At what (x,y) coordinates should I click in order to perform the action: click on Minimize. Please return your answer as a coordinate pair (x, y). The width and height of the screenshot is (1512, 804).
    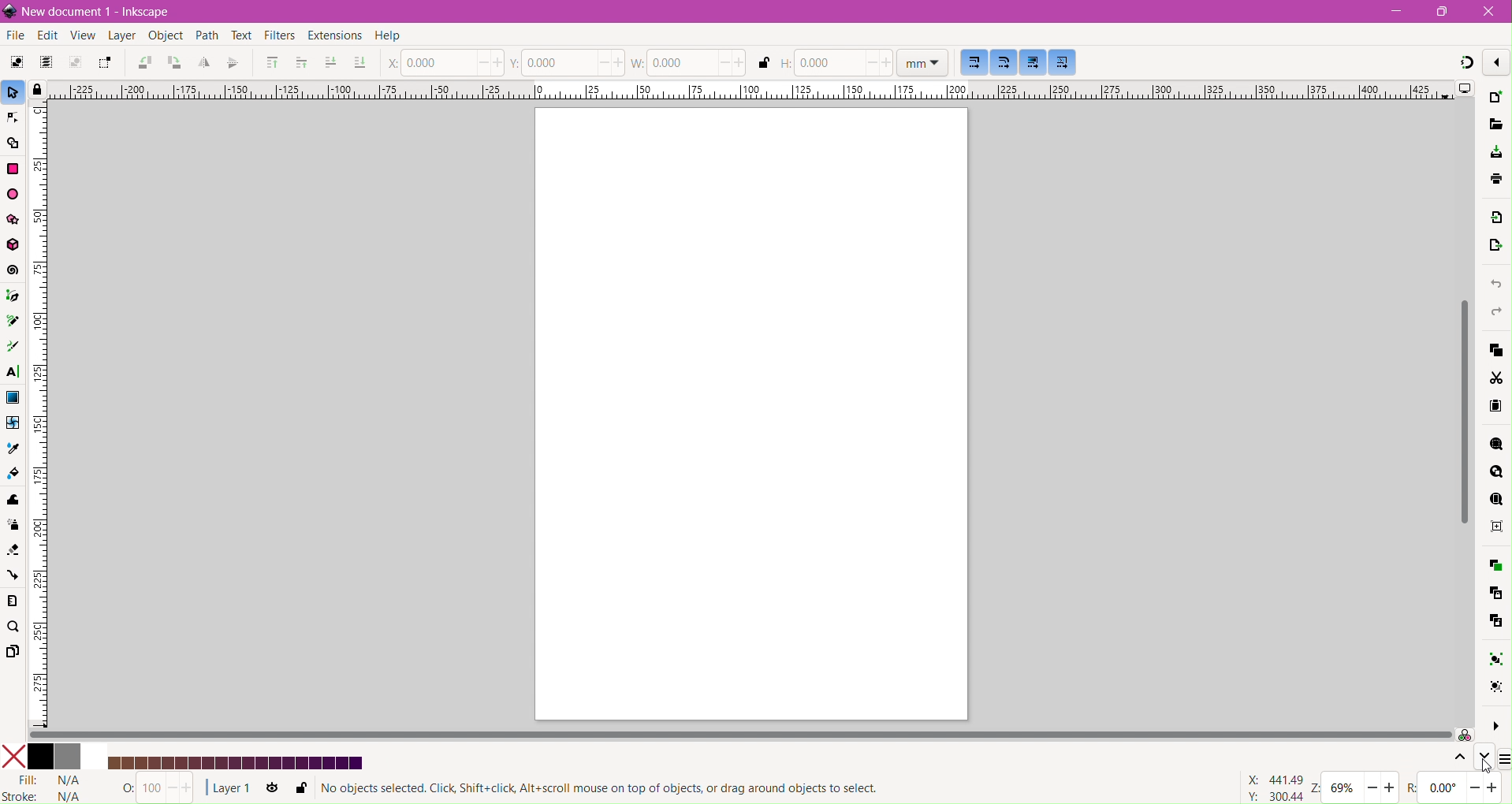
    Looking at the image, I should click on (1397, 11).